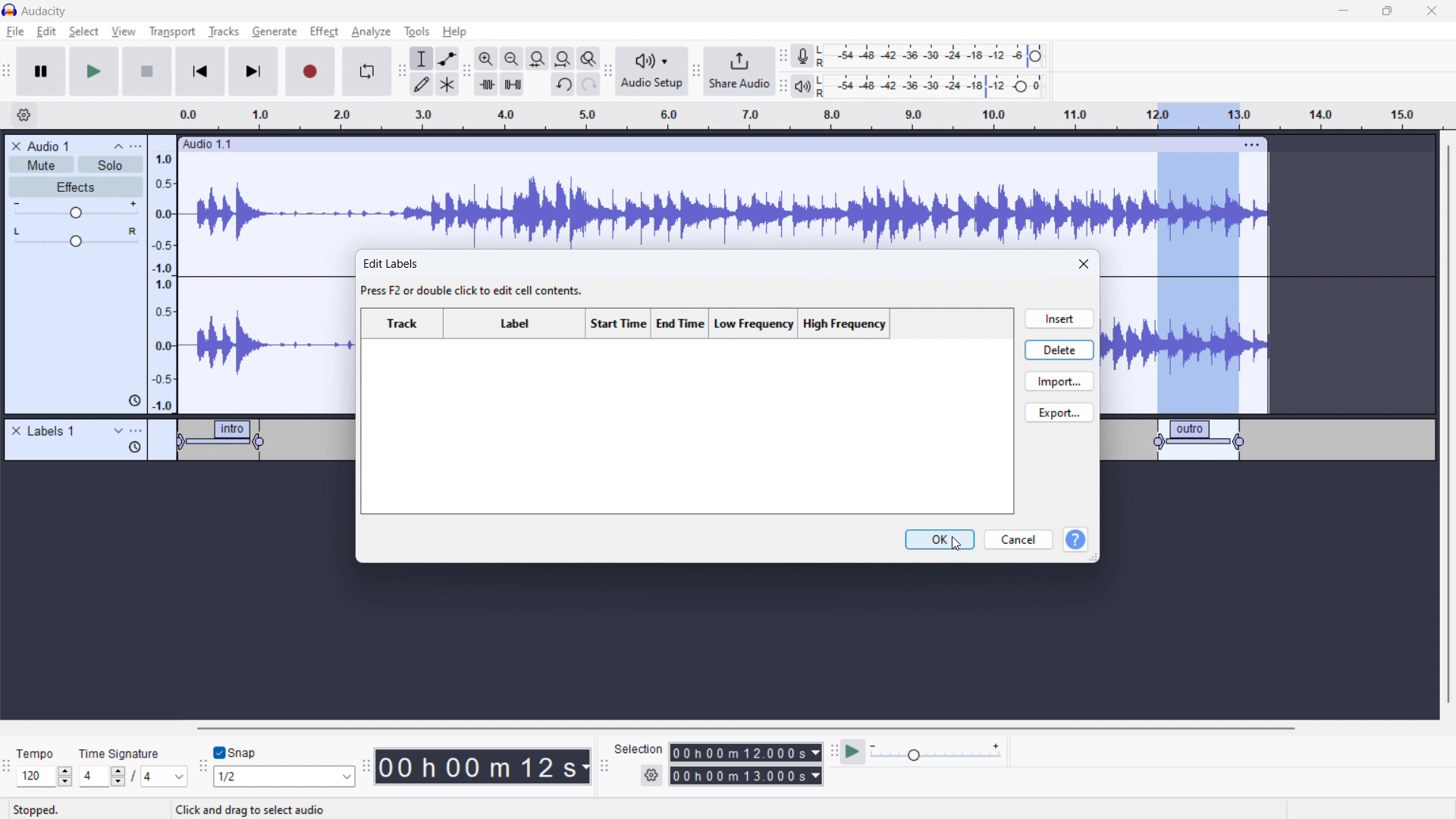 Image resolution: width=1456 pixels, height=819 pixels. I want to click on time signature, so click(121, 753).